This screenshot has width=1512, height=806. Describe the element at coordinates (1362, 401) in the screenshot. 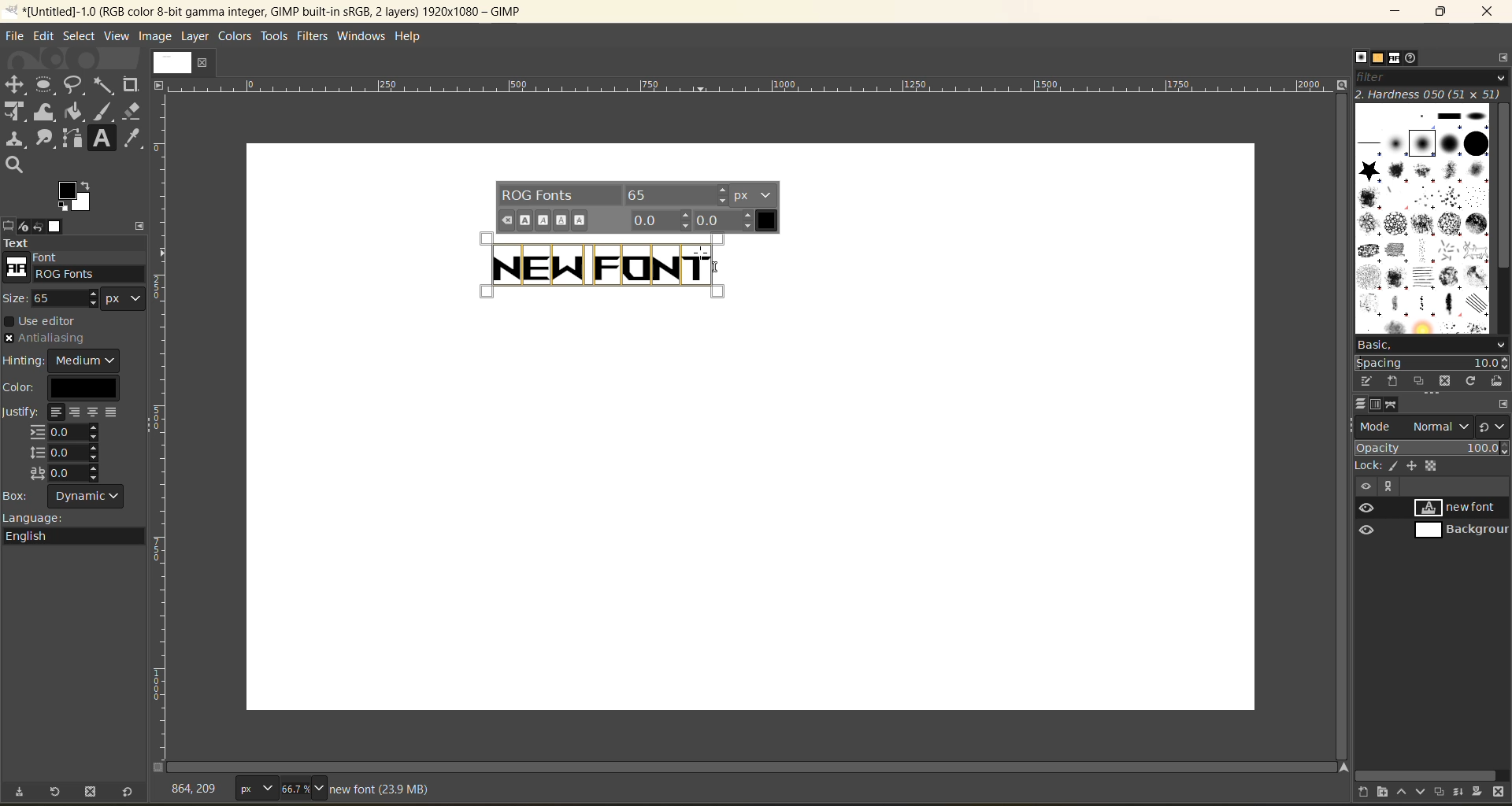

I see `layers` at that location.